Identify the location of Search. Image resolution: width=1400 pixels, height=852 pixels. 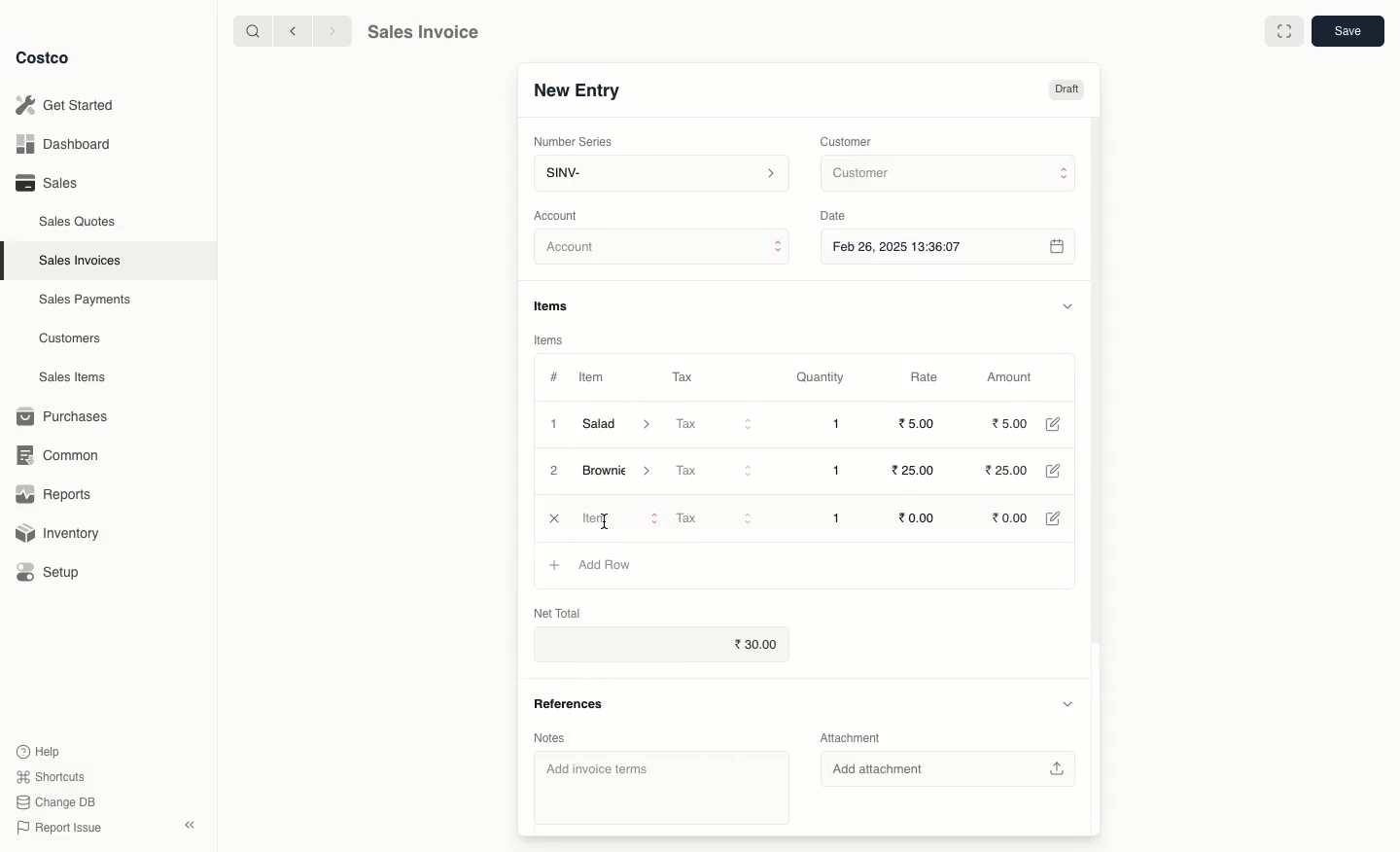
(250, 30).